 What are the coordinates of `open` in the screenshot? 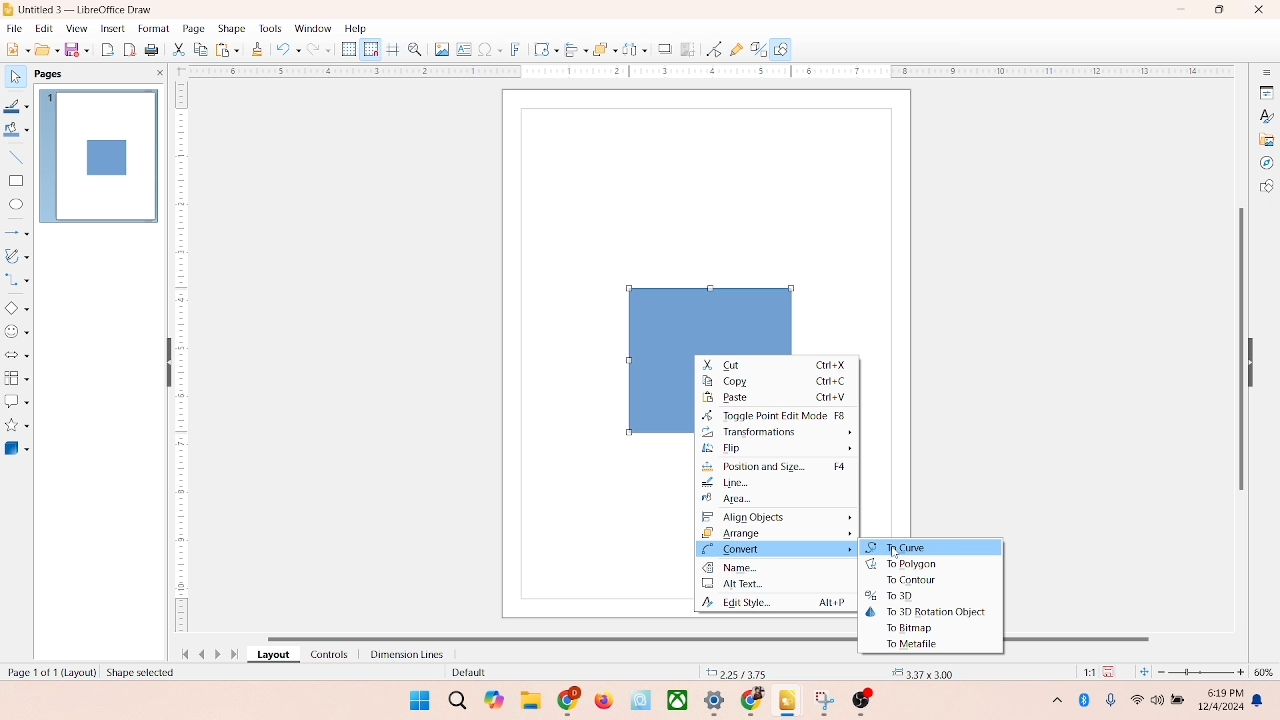 It's located at (45, 49).